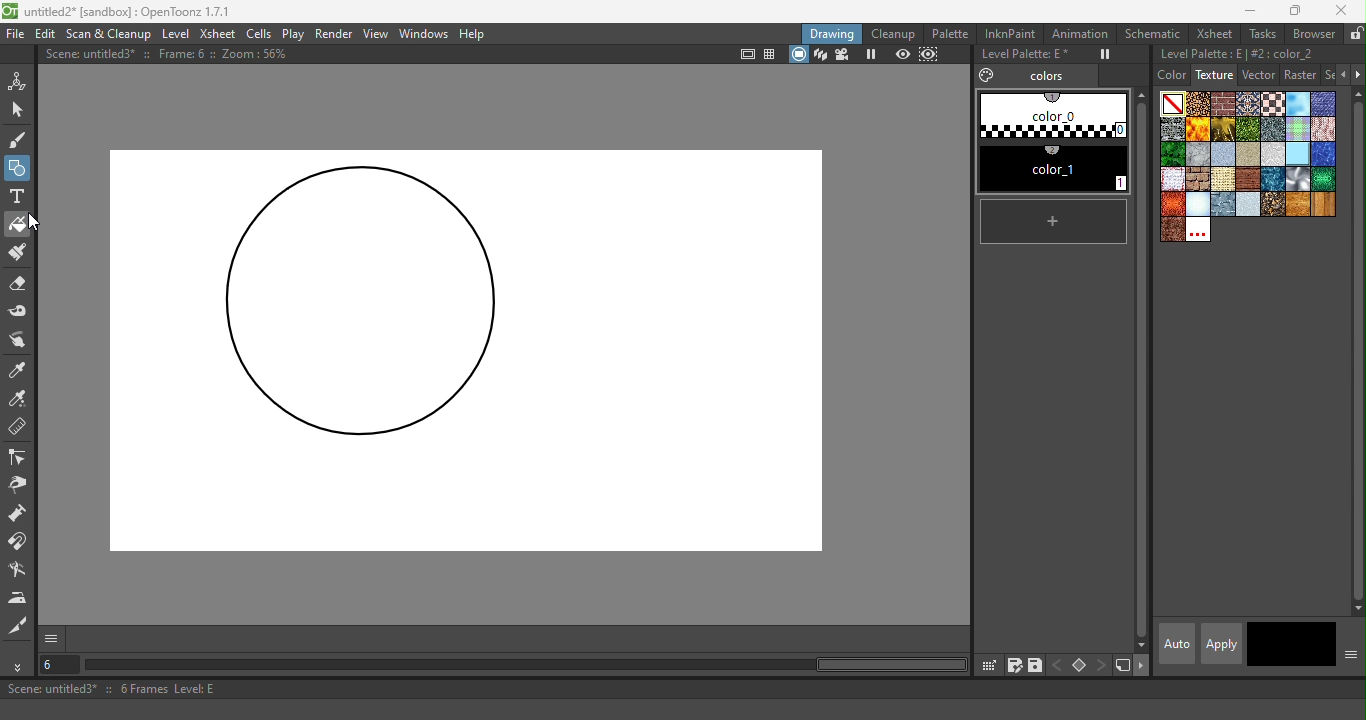  Describe the element at coordinates (1224, 205) in the screenshot. I see `steelplates.bmp` at that location.